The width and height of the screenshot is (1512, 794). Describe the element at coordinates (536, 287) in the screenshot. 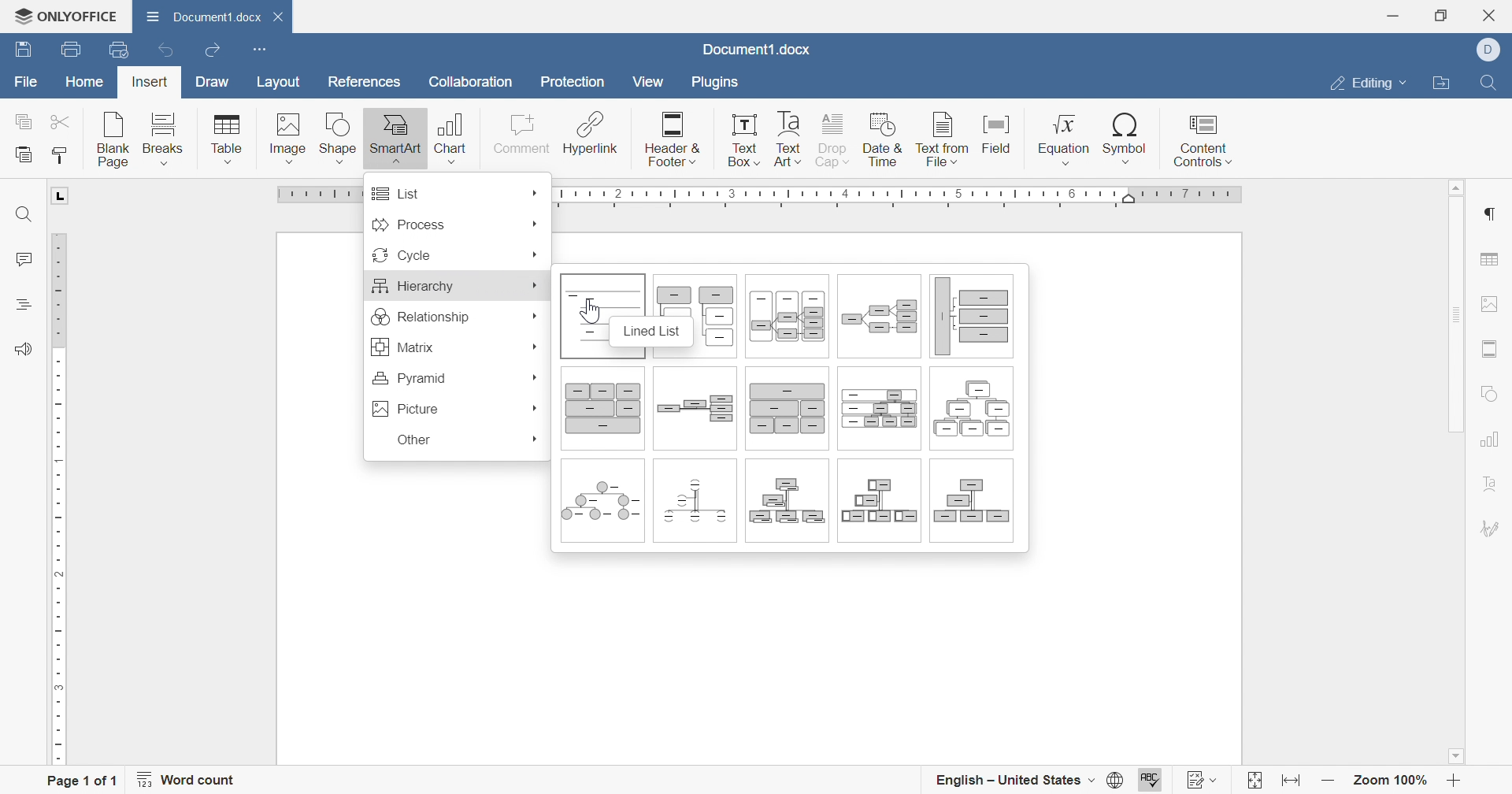

I see `More` at that location.